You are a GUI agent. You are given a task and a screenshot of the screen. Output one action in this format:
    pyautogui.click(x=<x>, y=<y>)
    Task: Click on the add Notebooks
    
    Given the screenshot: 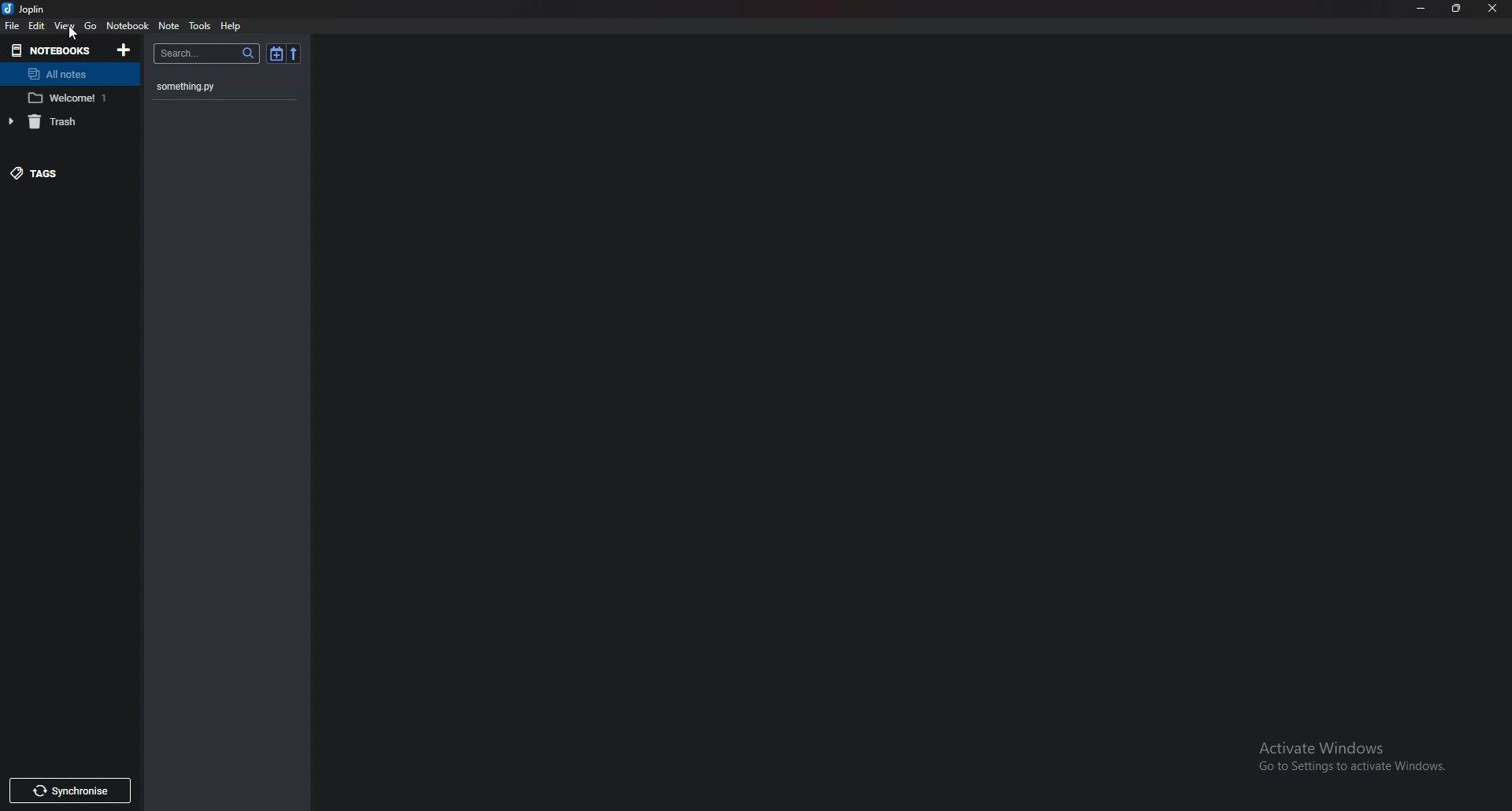 What is the action you would take?
    pyautogui.click(x=124, y=50)
    